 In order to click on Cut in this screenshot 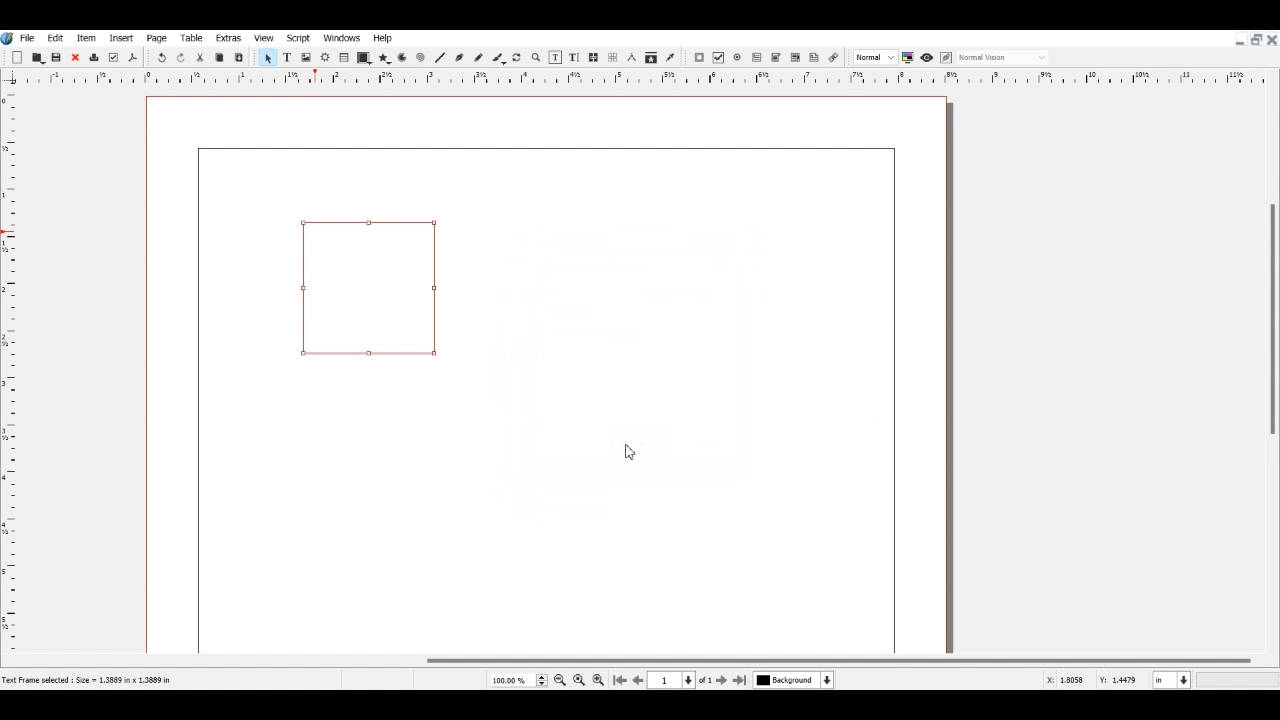, I will do `click(200, 57)`.